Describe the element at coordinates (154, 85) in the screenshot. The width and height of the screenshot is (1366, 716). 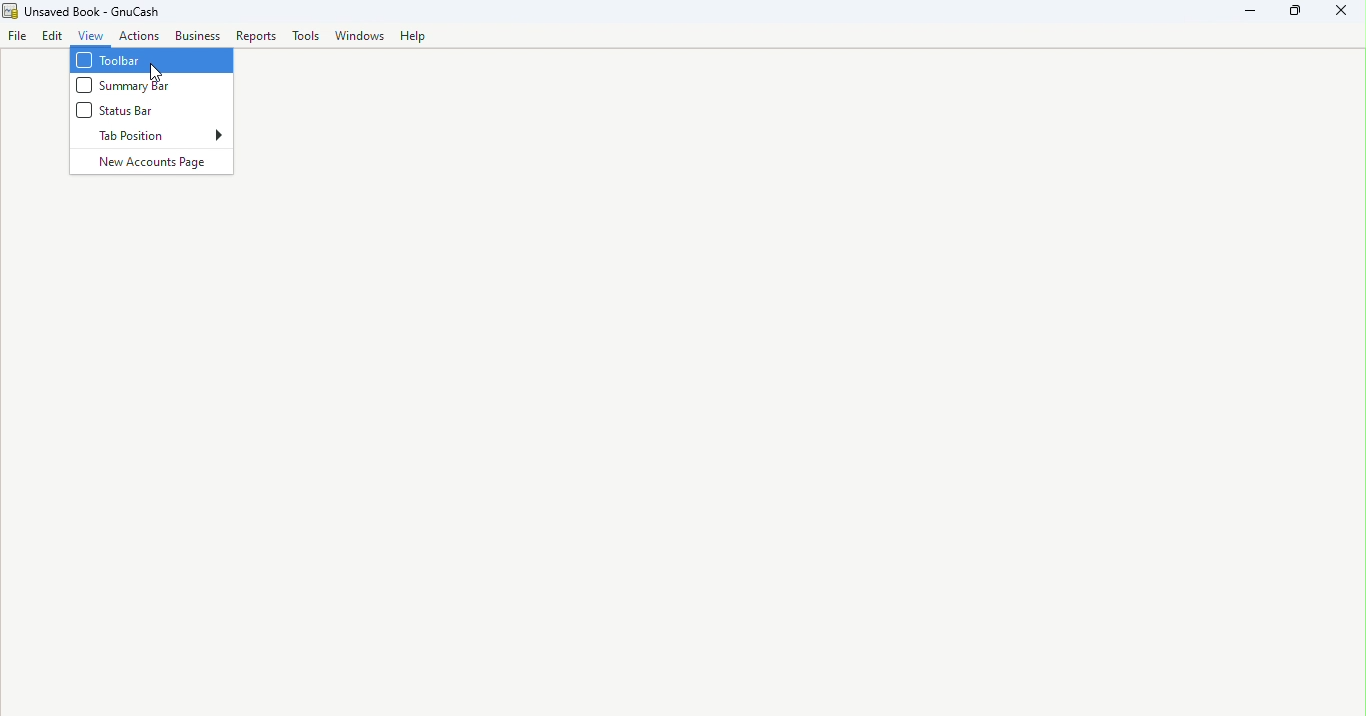
I see `Summary bar` at that location.